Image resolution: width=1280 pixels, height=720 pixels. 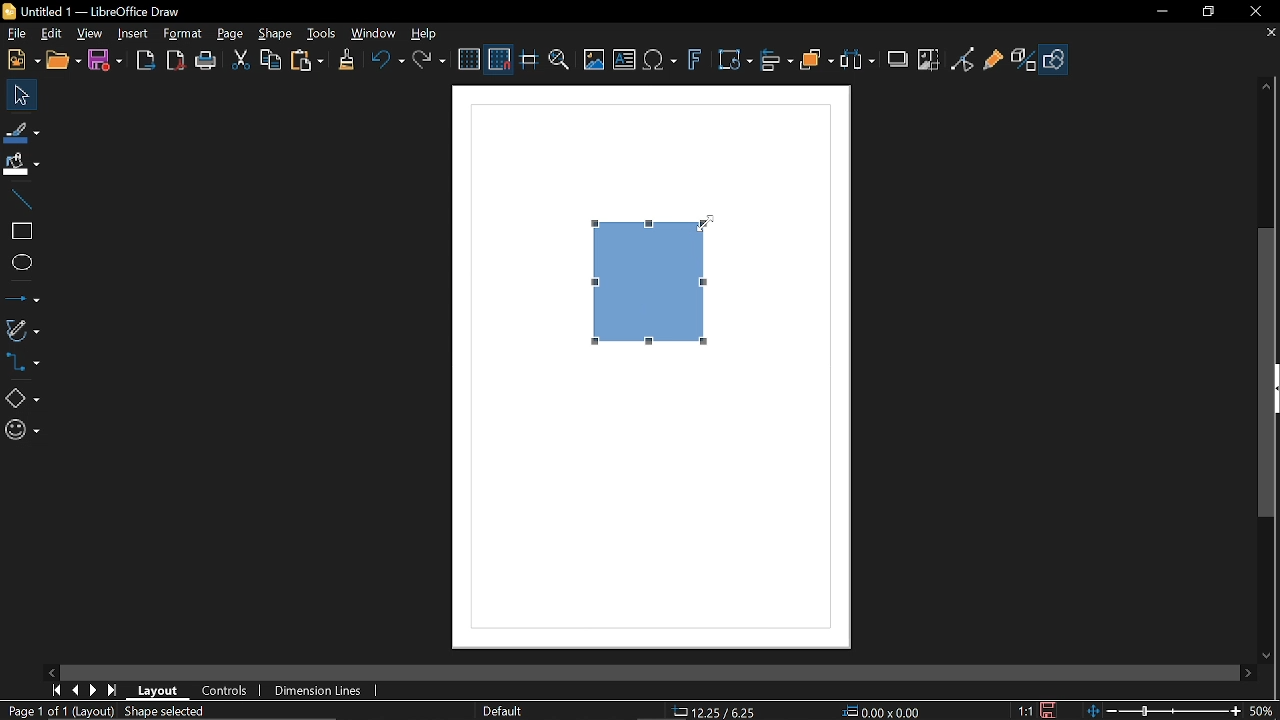 What do you see at coordinates (20, 199) in the screenshot?
I see `Line` at bounding box center [20, 199].